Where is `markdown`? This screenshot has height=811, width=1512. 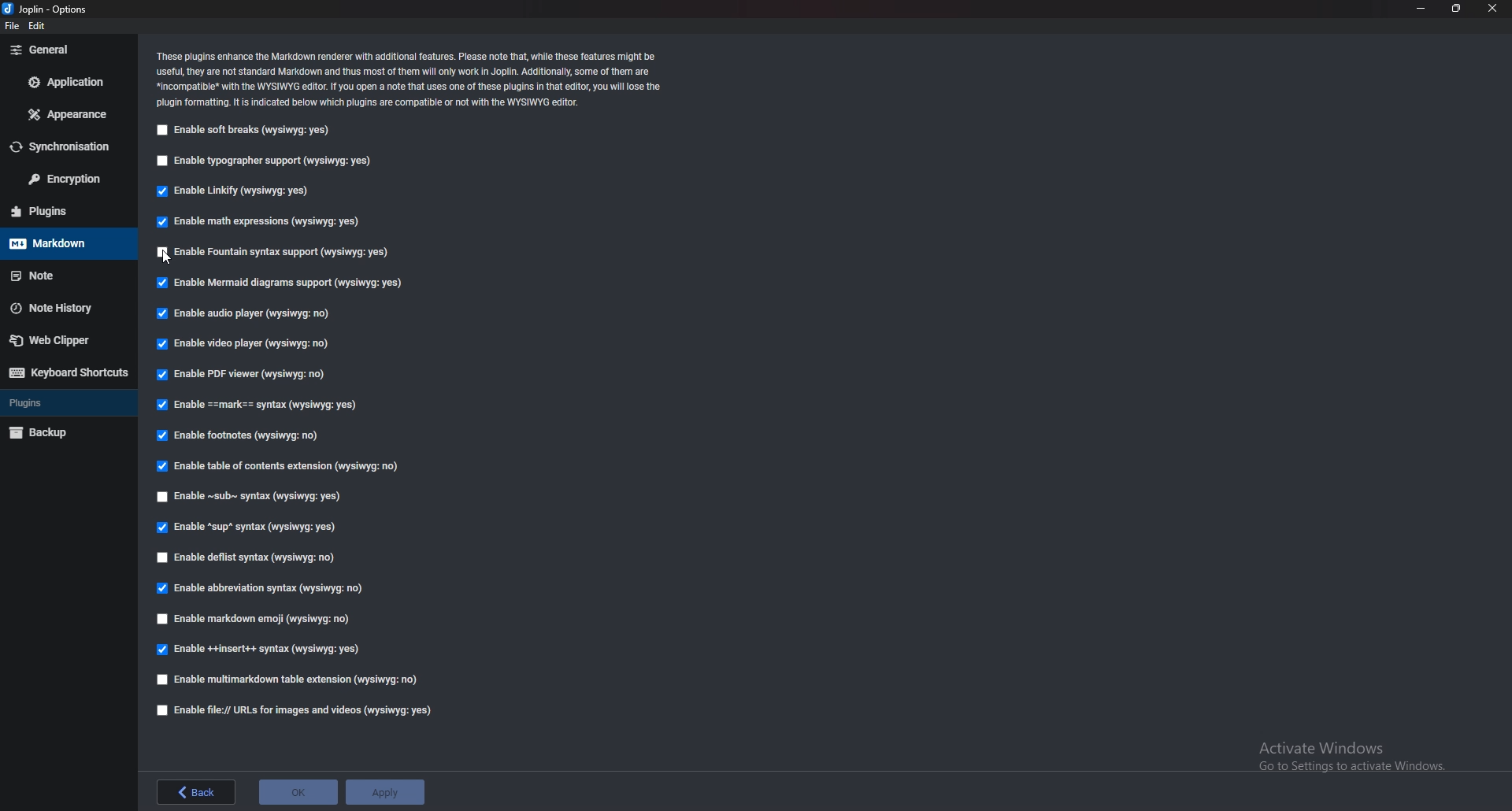
markdown is located at coordinates (61, 243).